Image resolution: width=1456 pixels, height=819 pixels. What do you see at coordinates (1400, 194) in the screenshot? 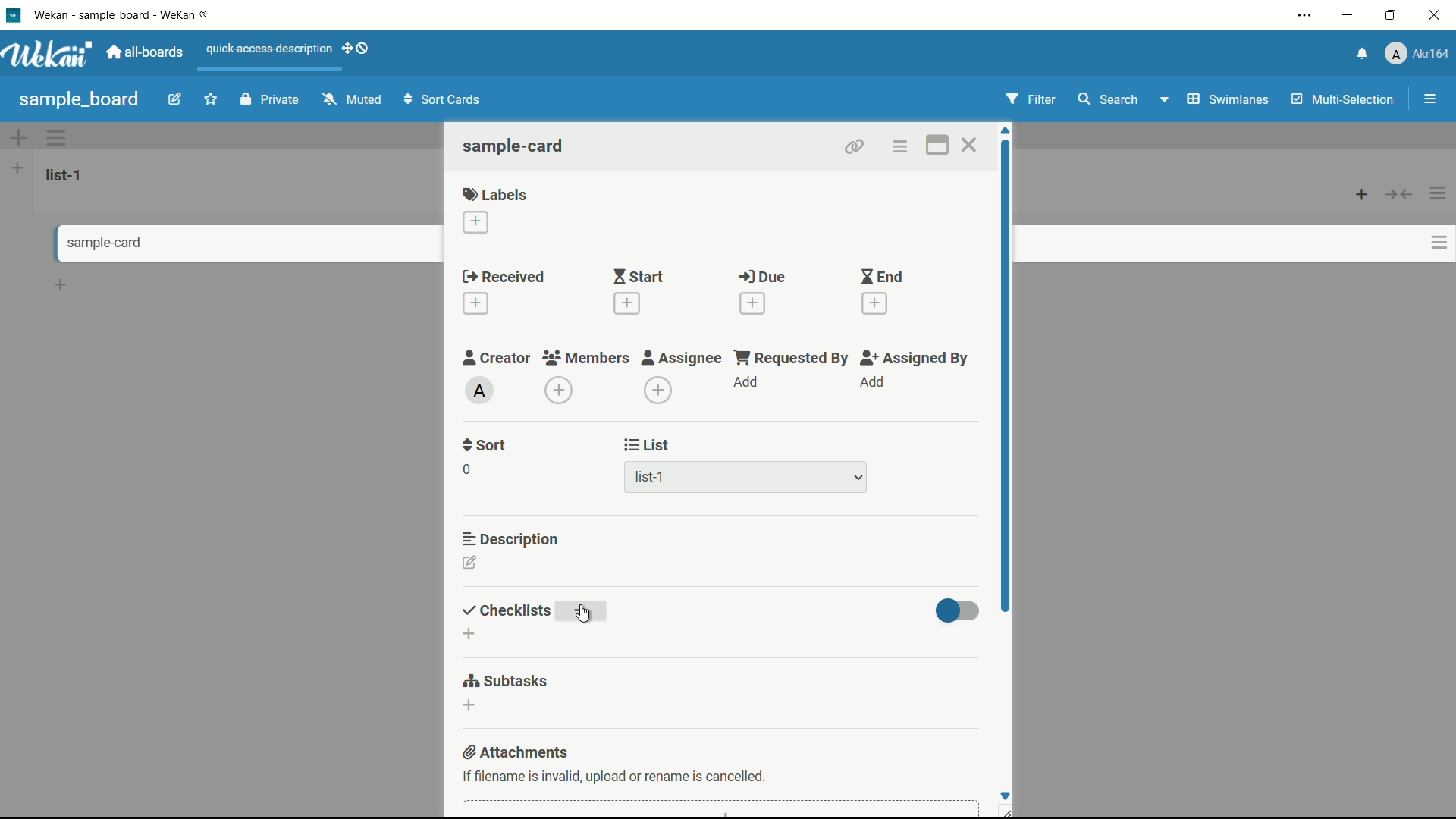
I see `collapse` at bounding box center [1400, 194].